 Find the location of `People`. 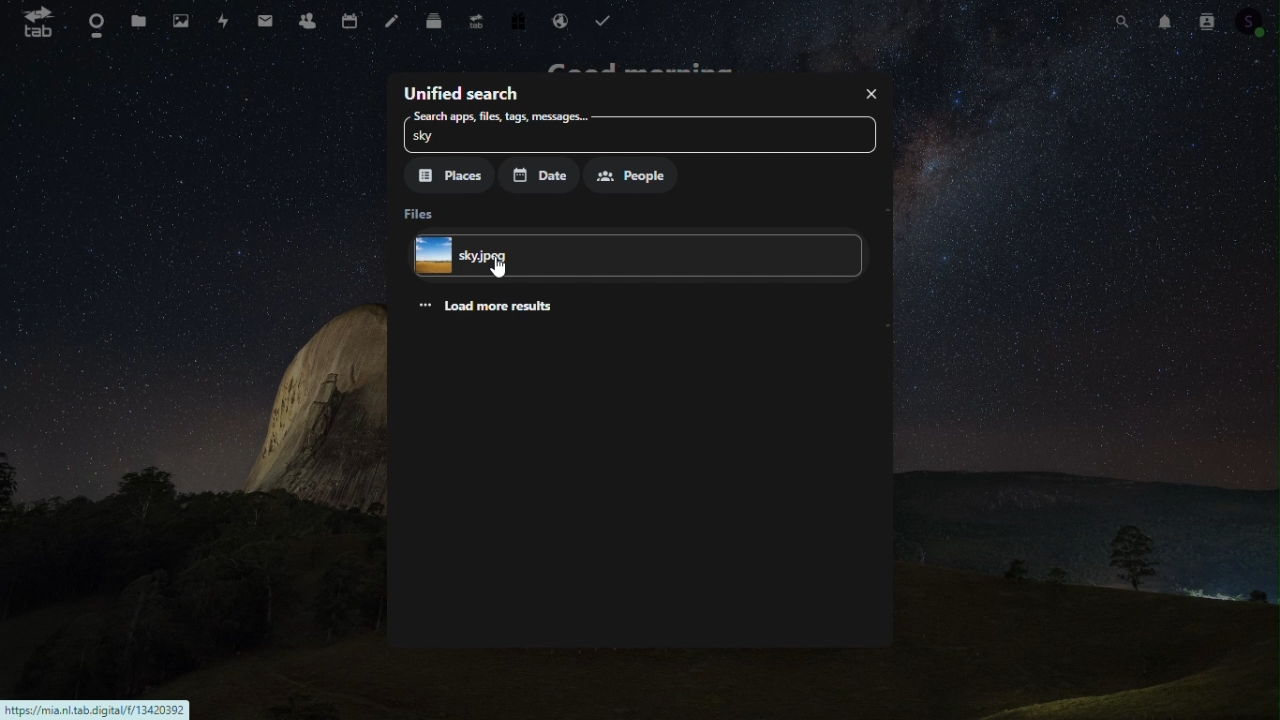

People is located at coordinates (628, 174).